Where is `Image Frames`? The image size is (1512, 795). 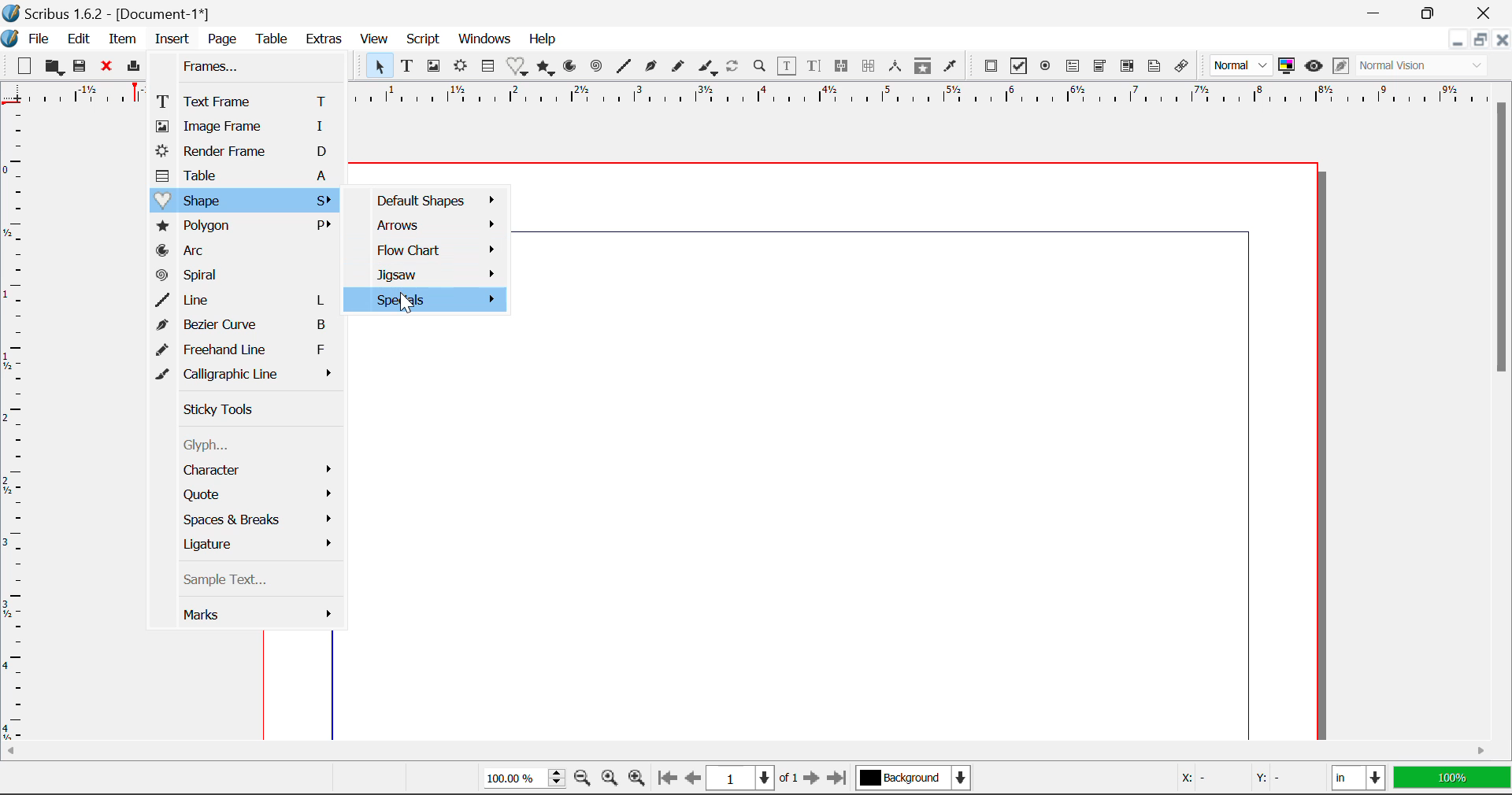
Image Frames is located at coordinates (433, 66).